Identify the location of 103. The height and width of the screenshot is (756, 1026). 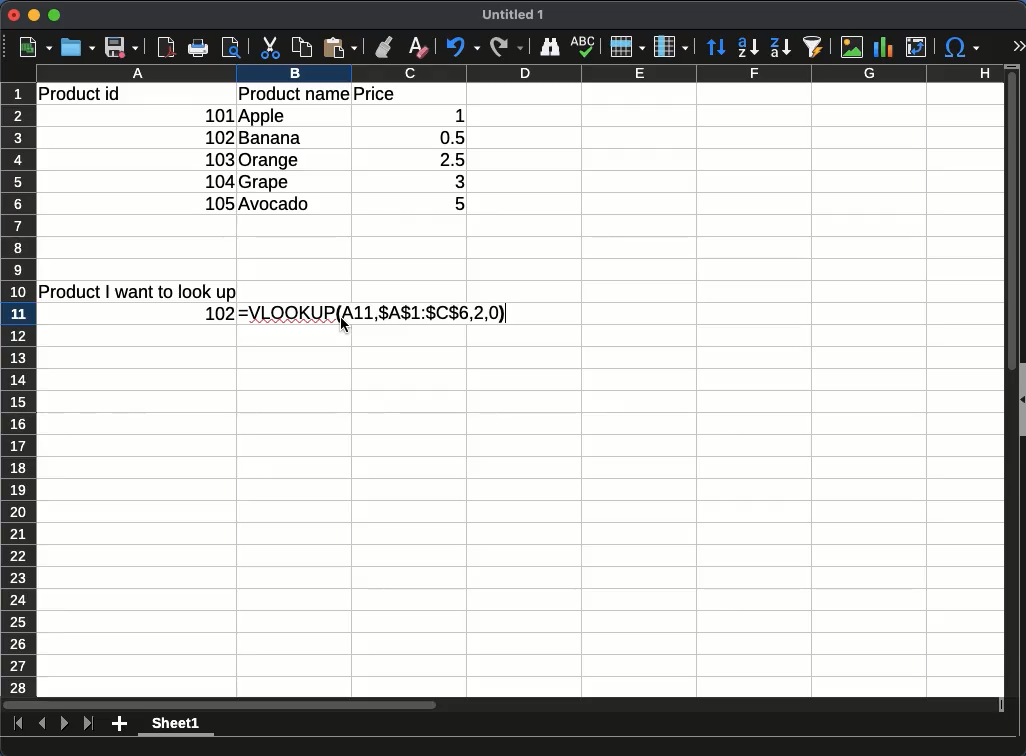
(218, 159).